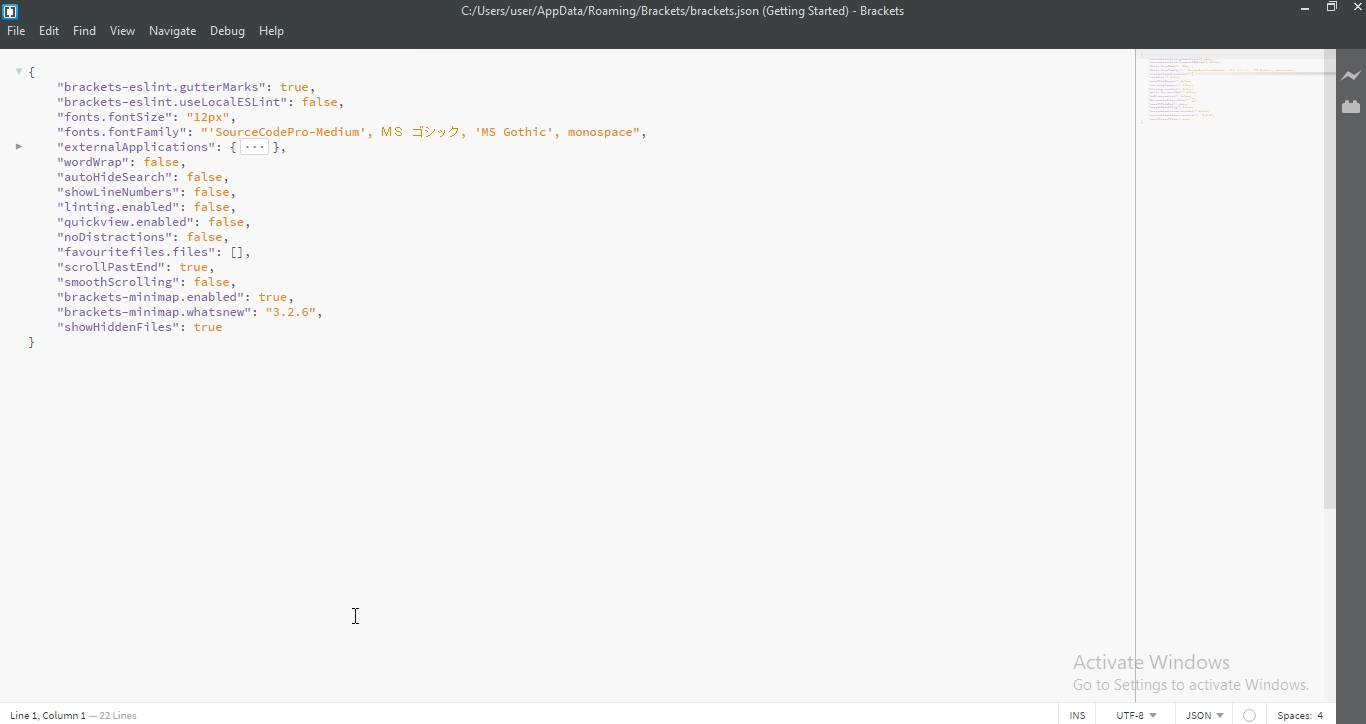 The image size is (1366, 724). Describe the element at coordinates (1306, 9) in the screenshot. I see `Minimise` at that location.